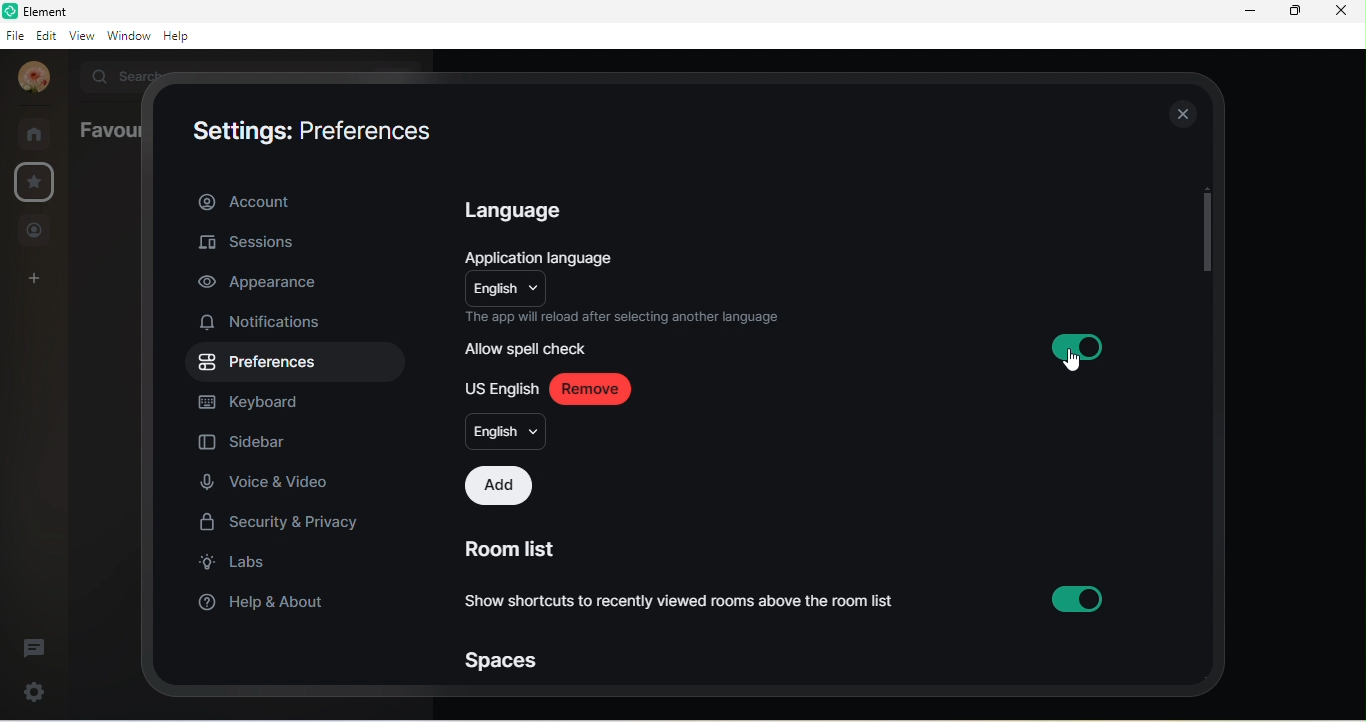 The image size is (1366, 722). Describe the element at coordinates (249, 244) in the screenshot. I see `sessions` at that location.